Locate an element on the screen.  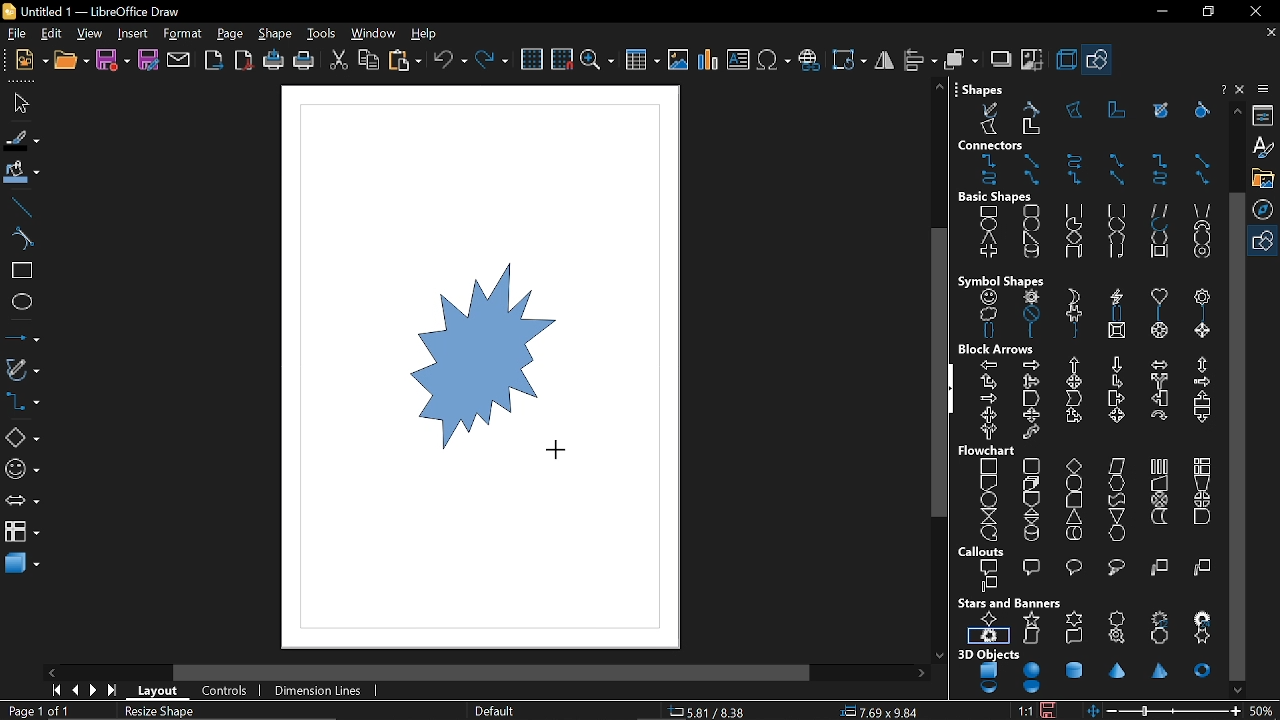
Flip is located at coordinates (883, 61).